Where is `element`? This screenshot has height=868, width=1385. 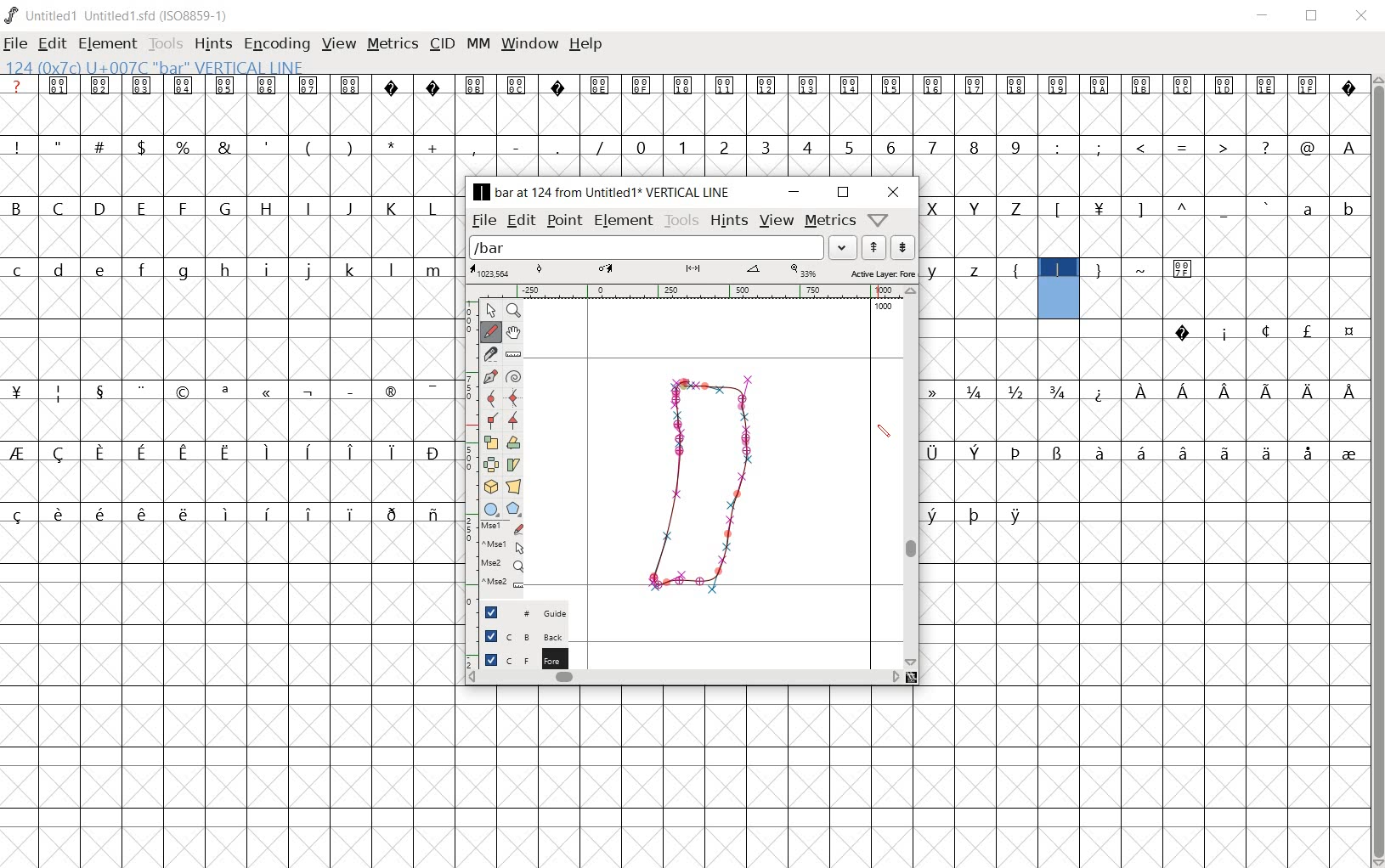 element is located at coordinates (107, 44).